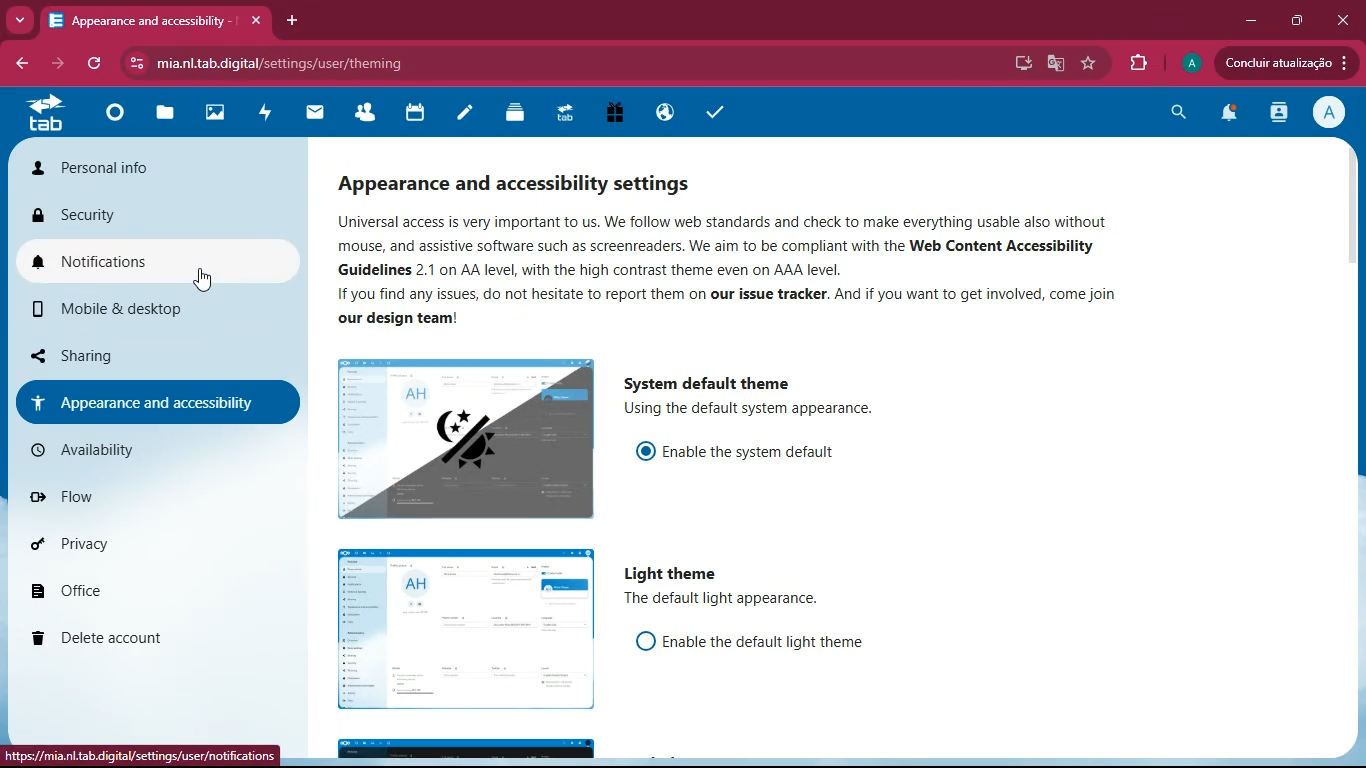  What do you see at coordinates (664, 113) in the screenshot?
I see `public` at bounding box center [664, 113].